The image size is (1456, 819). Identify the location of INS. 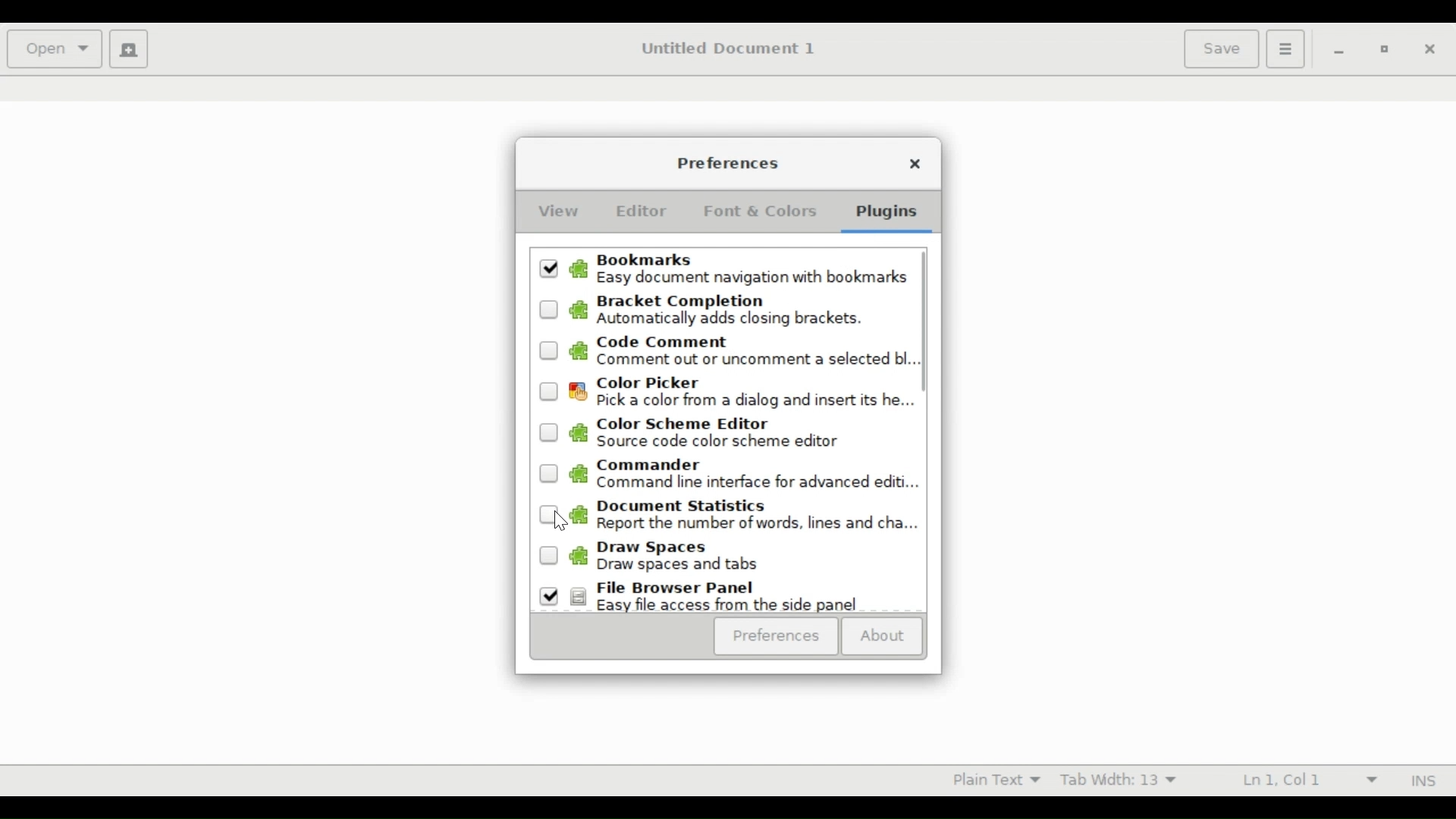
(1420, 780).